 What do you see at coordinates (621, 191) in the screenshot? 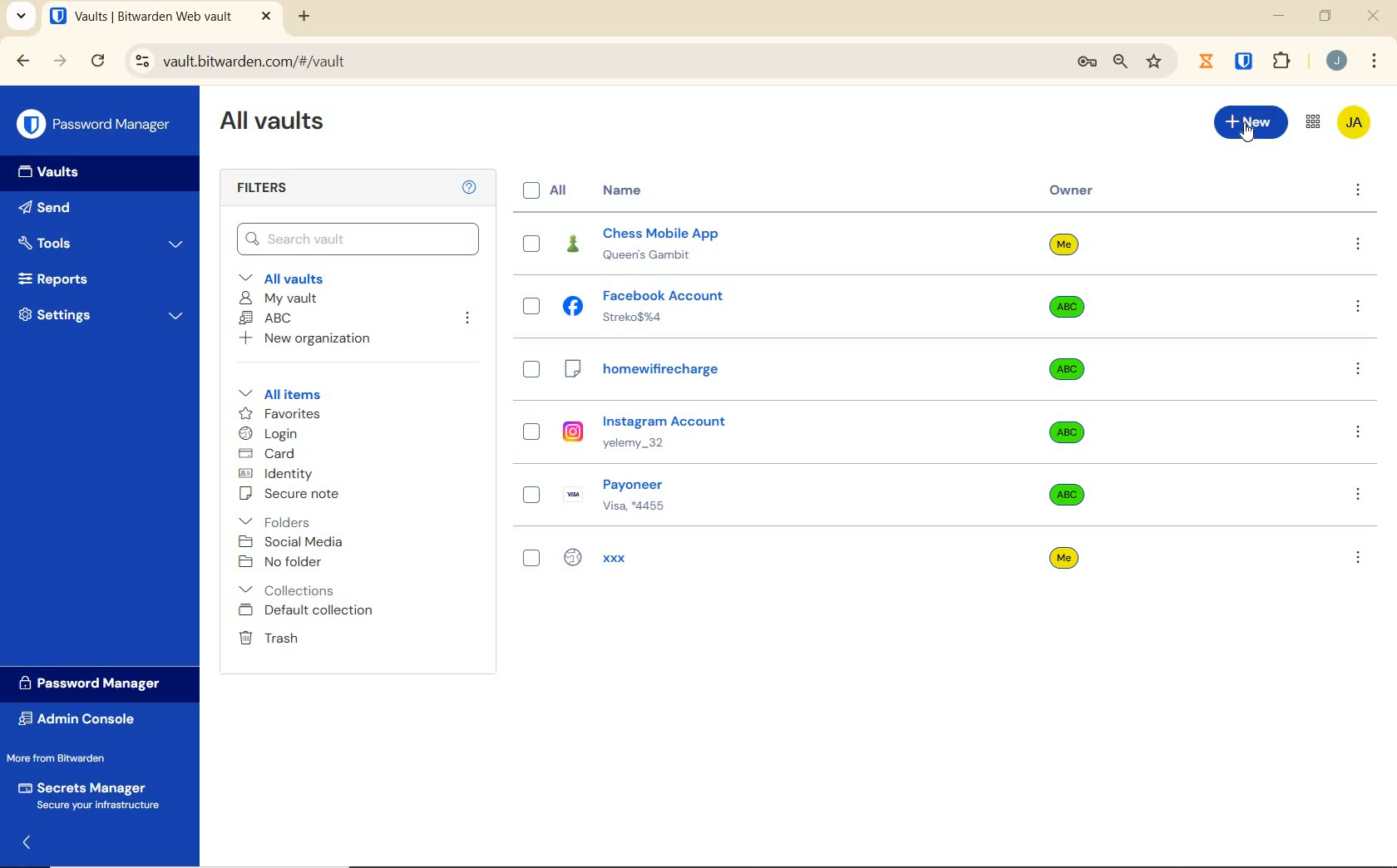
I see `Name` at bounding box center [621, 191].